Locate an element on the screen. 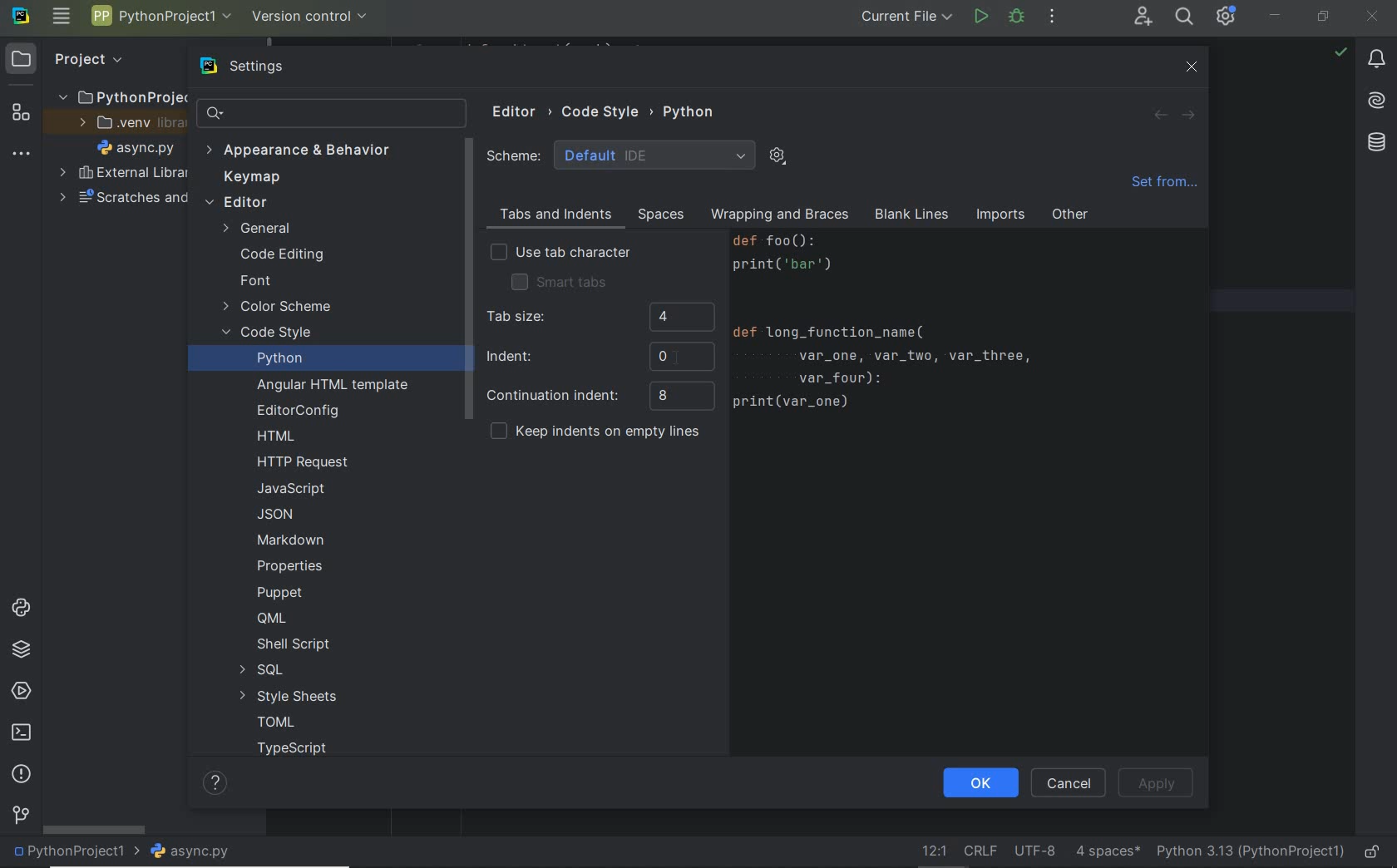 The width and height of the screenshot is (1397, 868). Search Everywhere is located at coordinates (1183, 19).